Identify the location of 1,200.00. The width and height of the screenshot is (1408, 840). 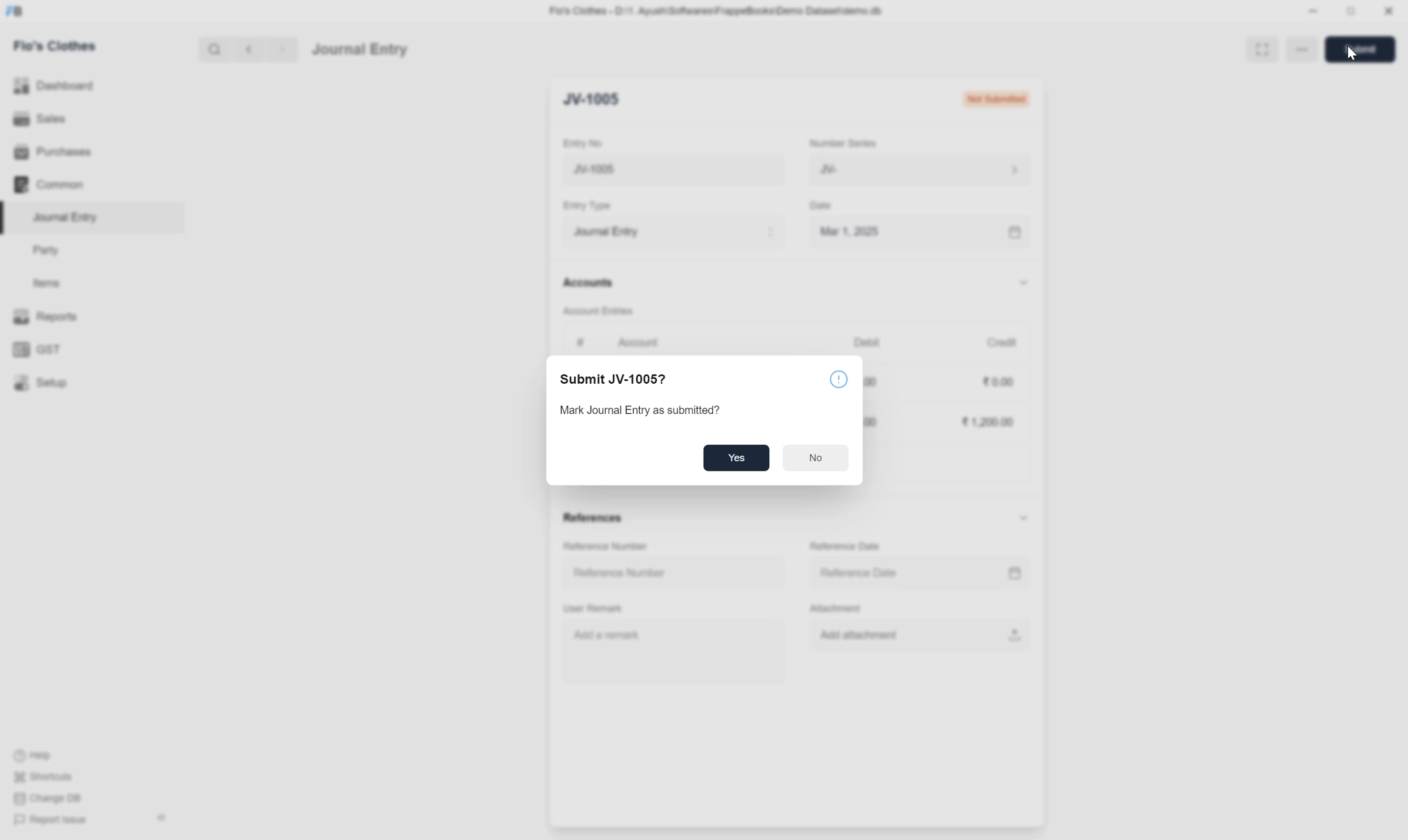
(987, 422).